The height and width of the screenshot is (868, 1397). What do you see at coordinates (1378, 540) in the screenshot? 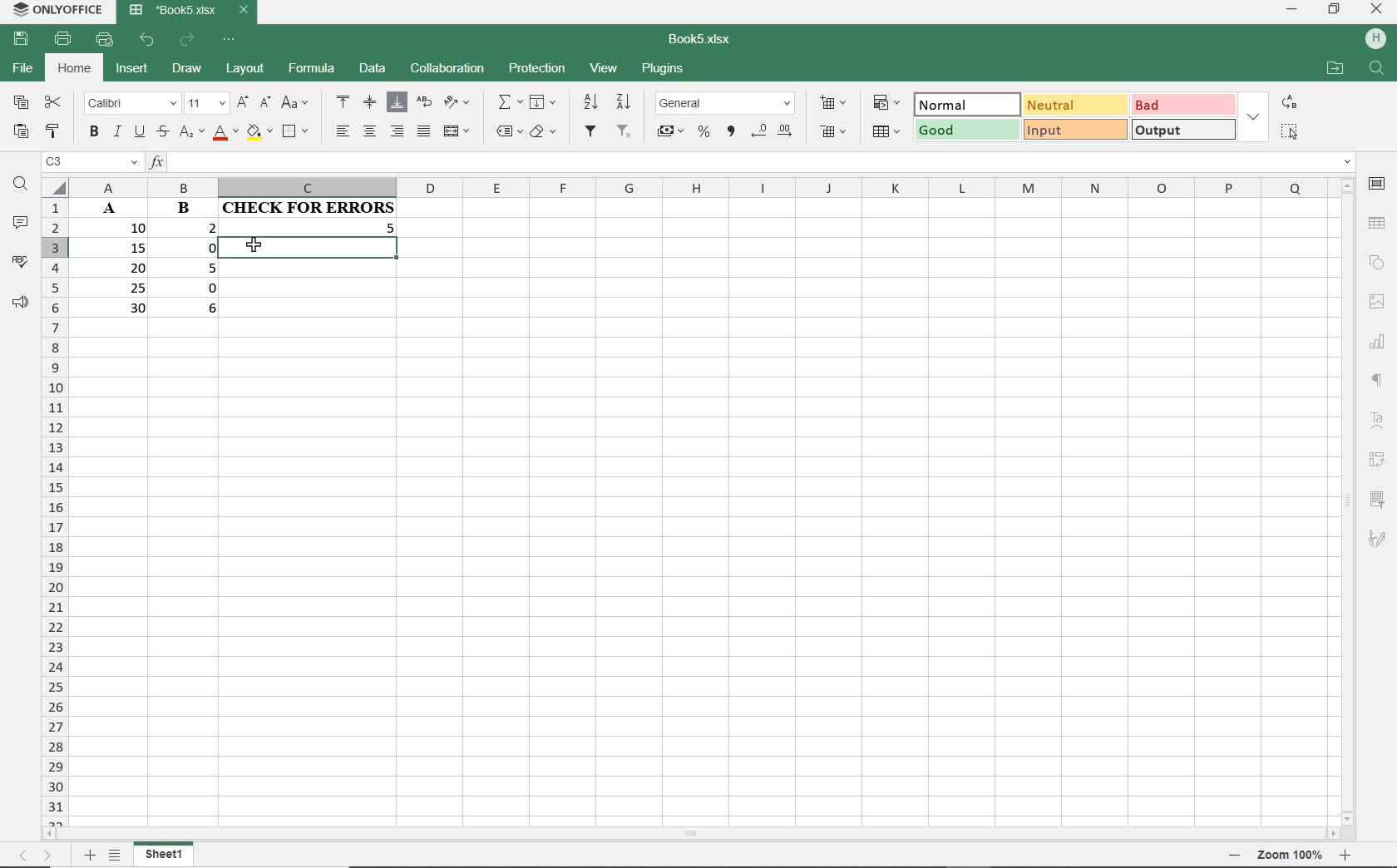
I see `` at bounding box center [1378, 540].